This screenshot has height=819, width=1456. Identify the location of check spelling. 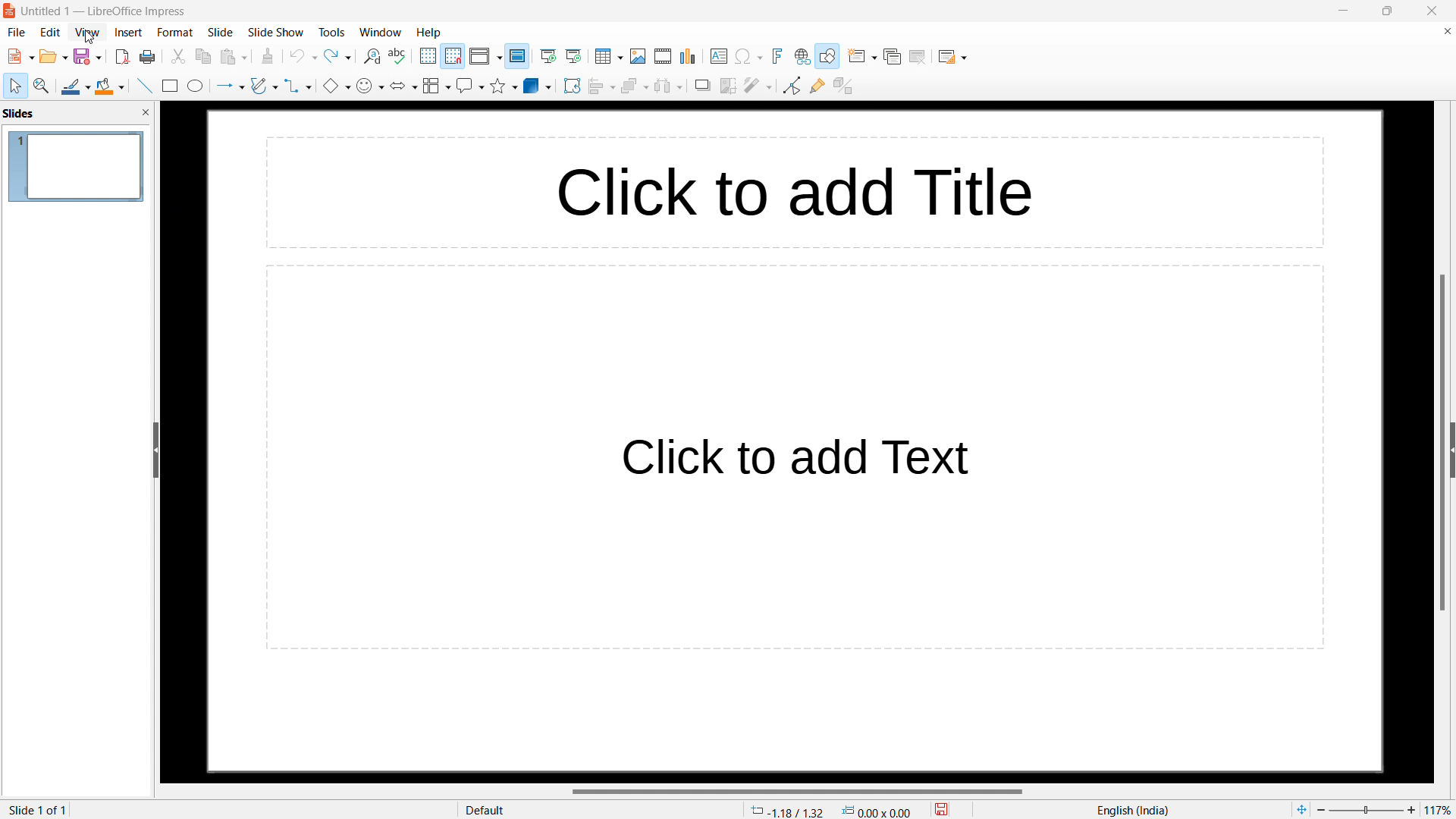
(400, 57).